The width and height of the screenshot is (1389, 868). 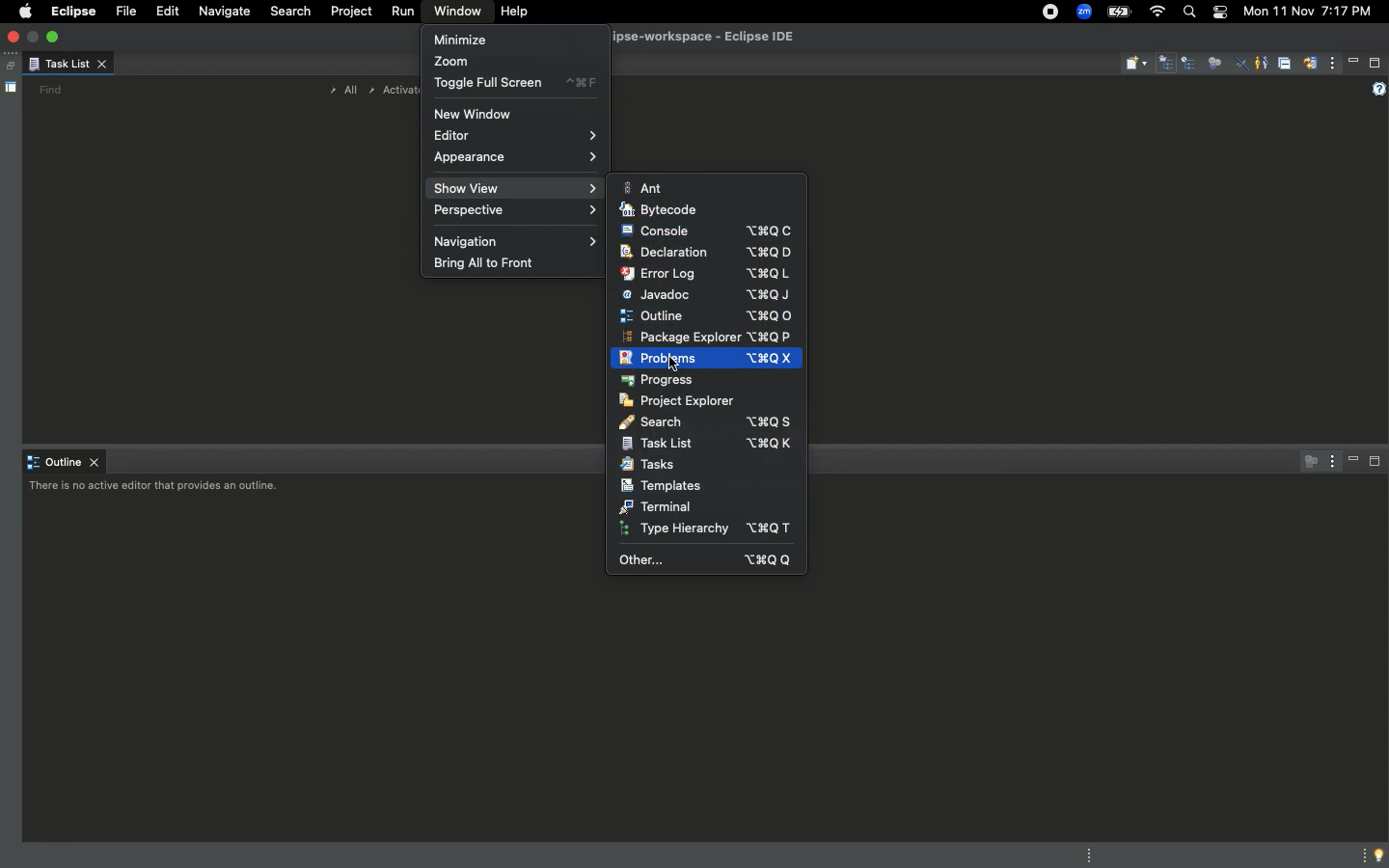 What do you see at coordinates (711, 295) in the screenshot?
I see `Javadoc` at bounding box center [711, 295].